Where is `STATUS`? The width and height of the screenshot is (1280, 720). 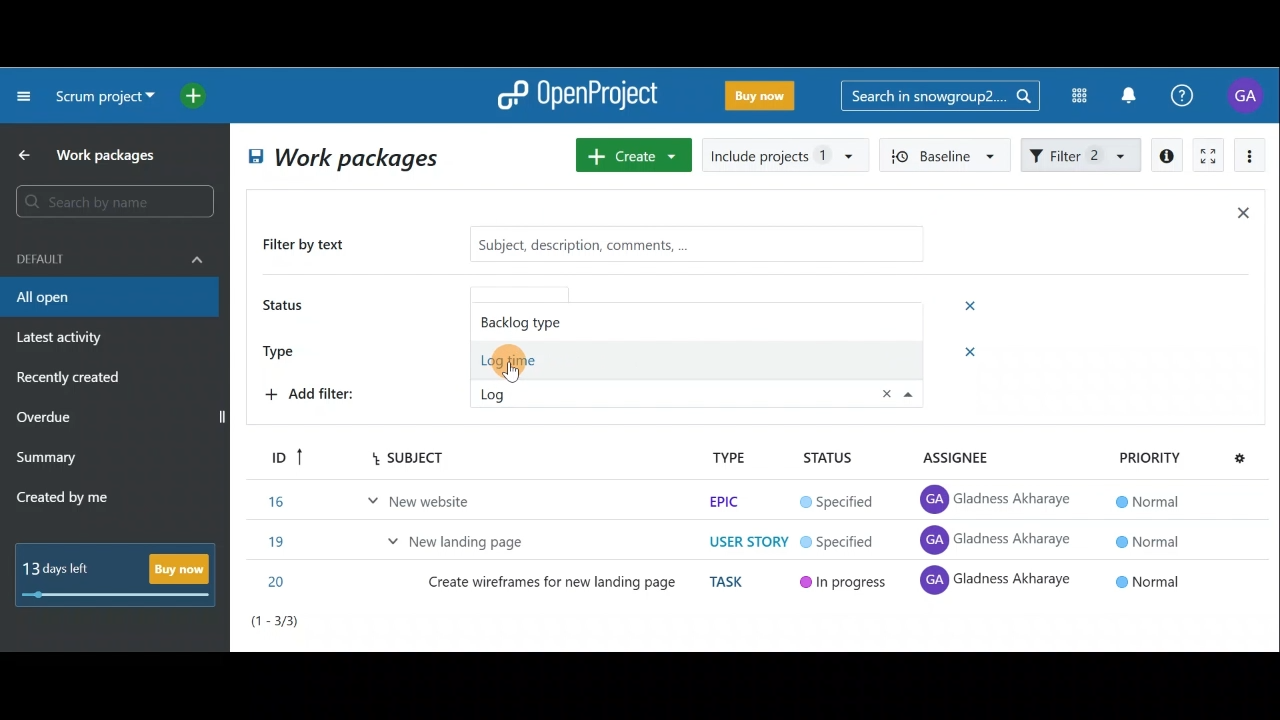 STATUS is located at coordinates (828, 459).